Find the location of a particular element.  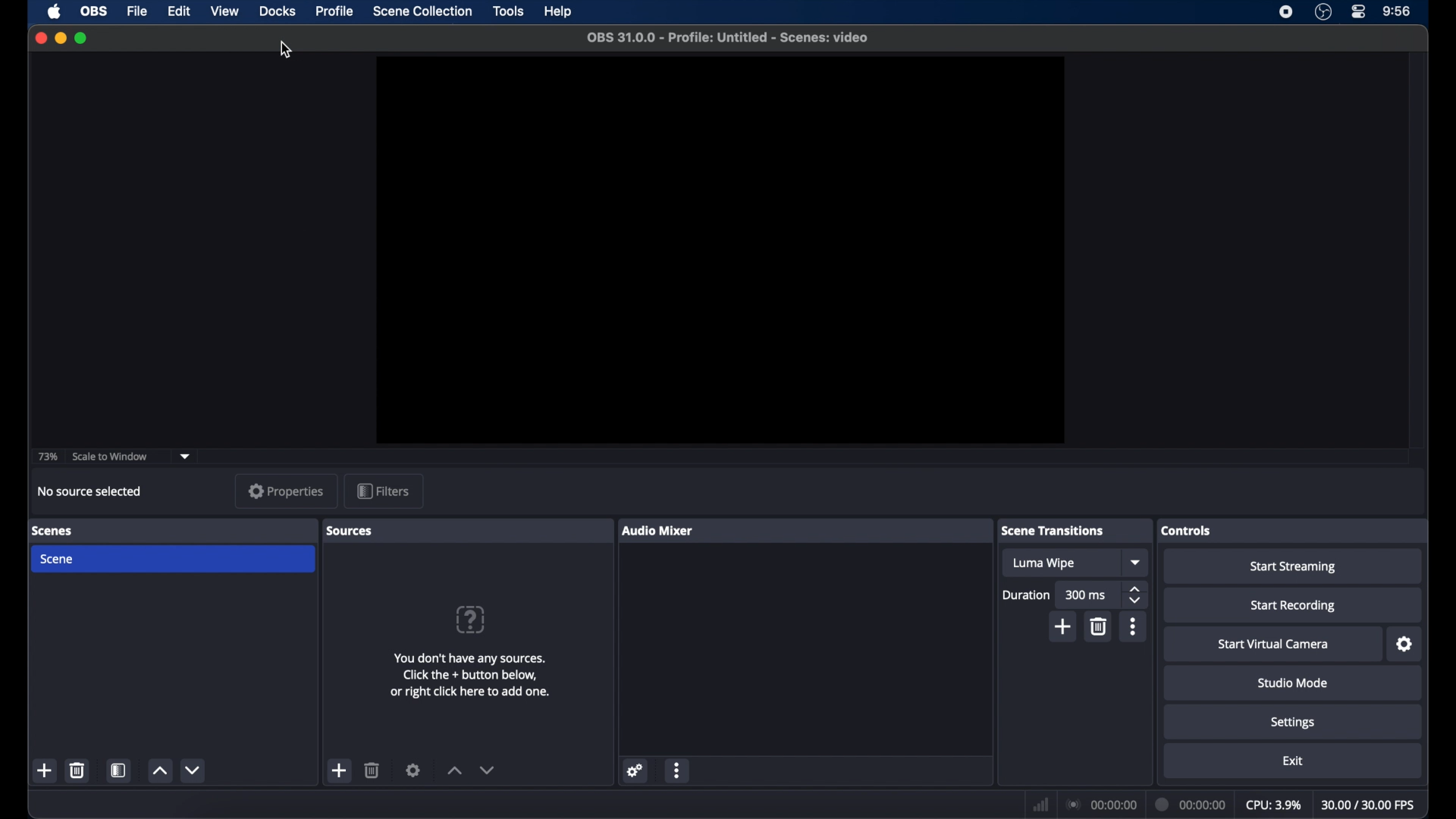

no source selected is located at coordinates (93, 491).